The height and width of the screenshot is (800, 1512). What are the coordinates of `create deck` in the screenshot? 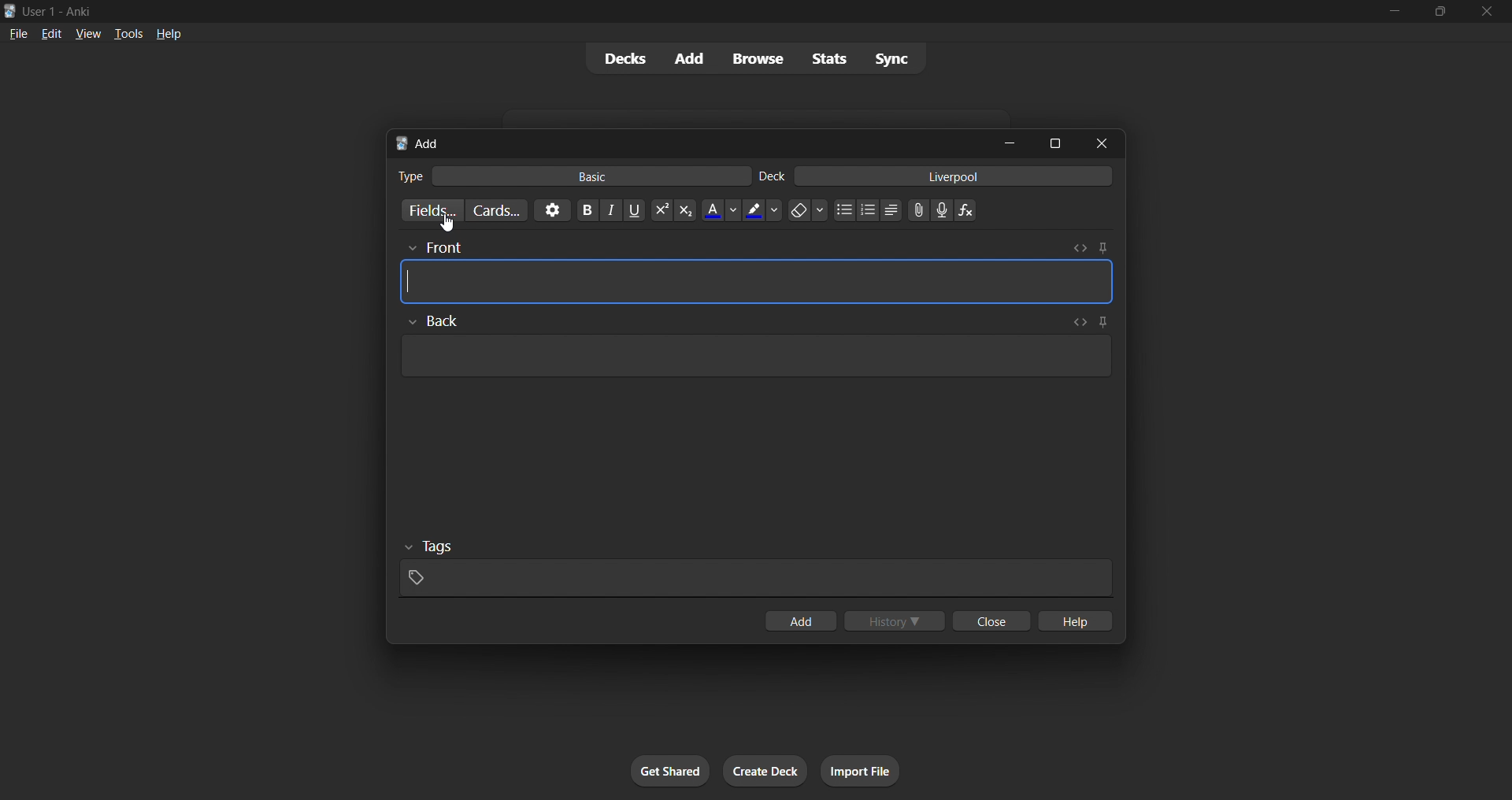 It's located at (765, 771).